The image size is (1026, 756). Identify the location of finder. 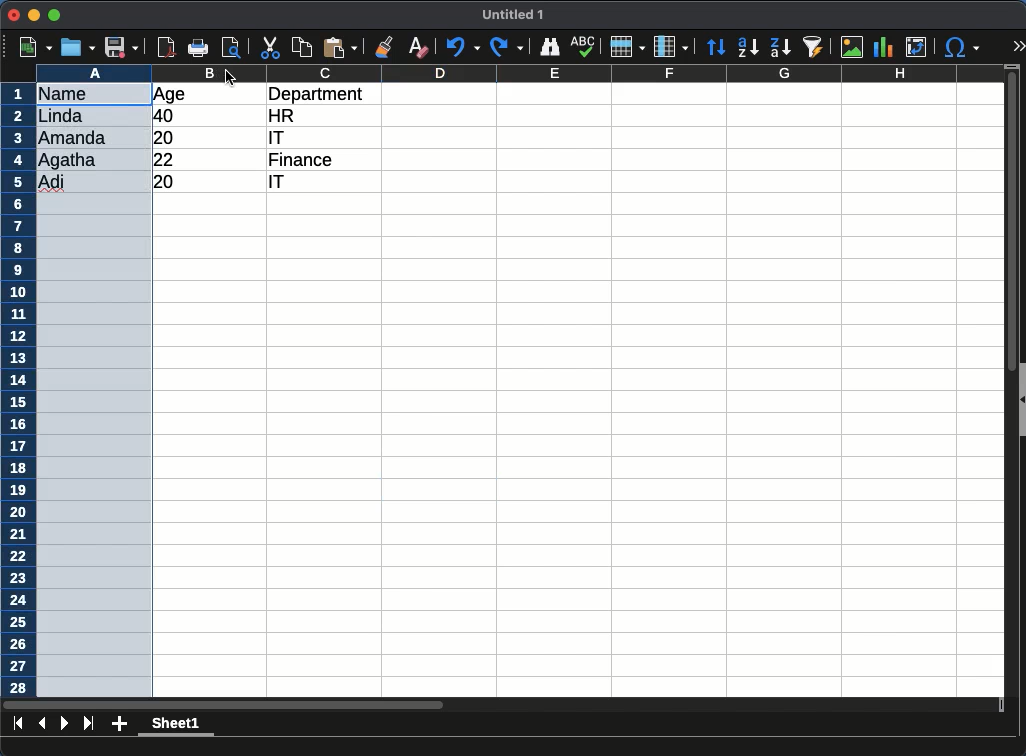
(552, 47).